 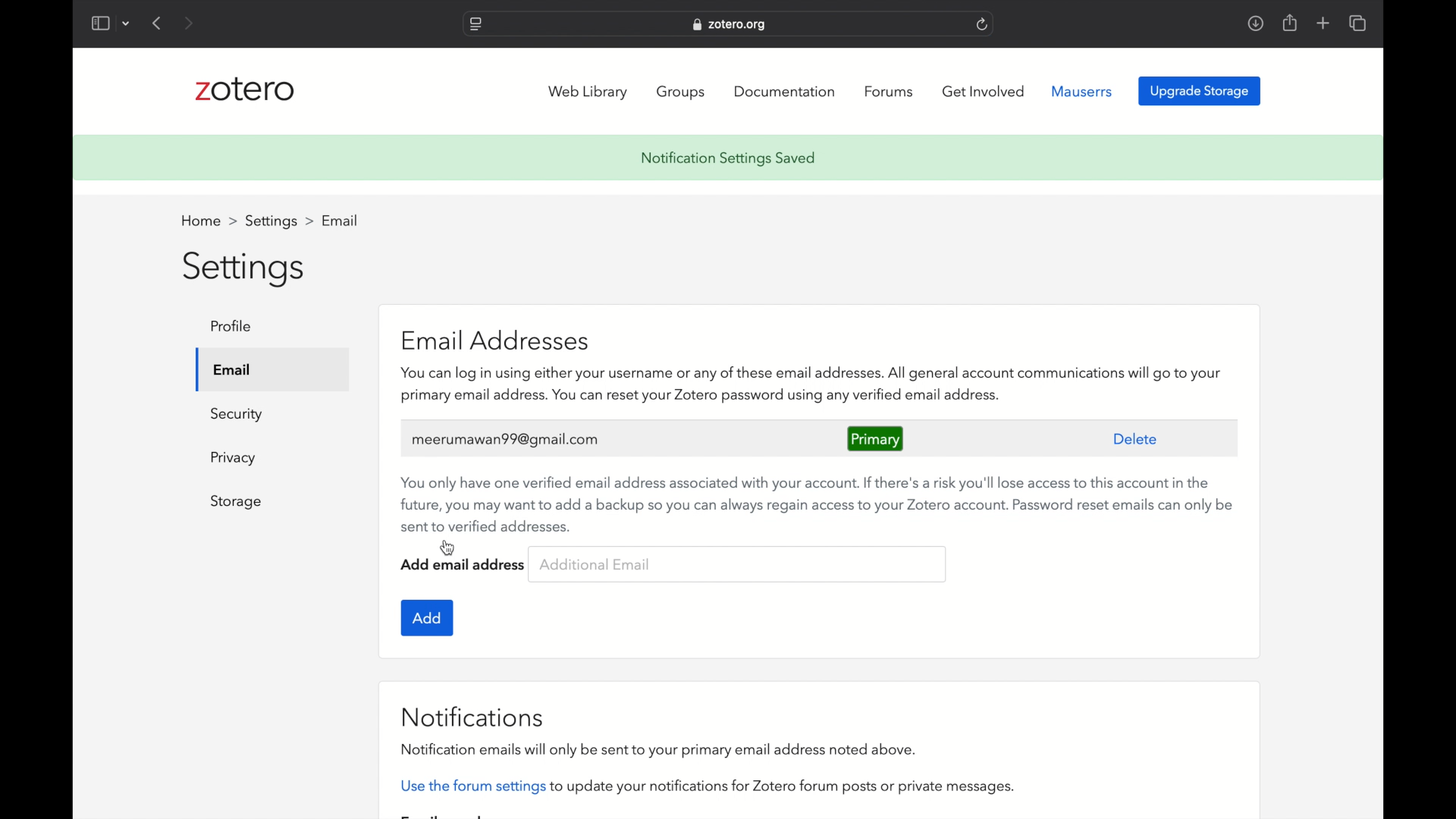 What do you see at coordinates (660, 749) in the screenshot?
I see `notification emails will only be sent to your primary email address noted above` at bounding box center [660, 749].